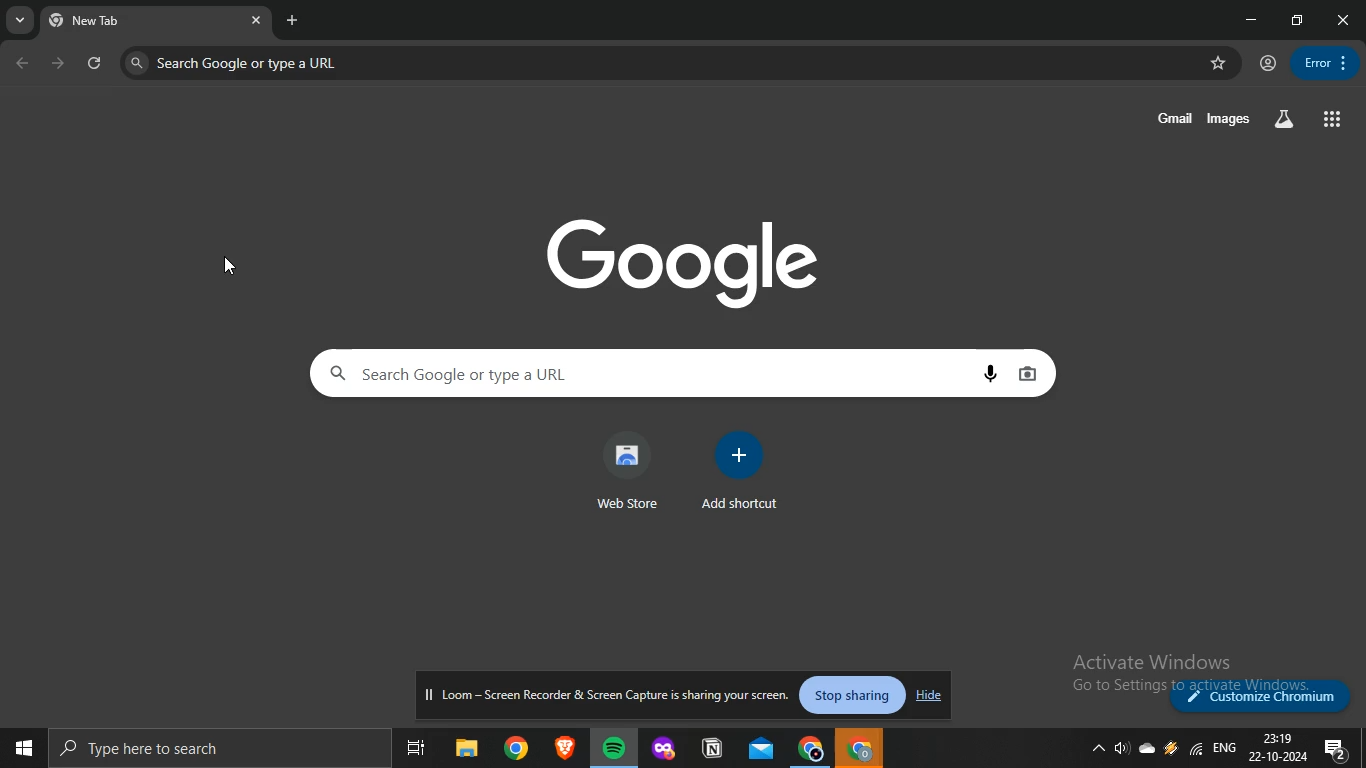 The height and width of the screenshot is (768, 1366). What do you see at coordinates (1225, 748) in the screenshot?
I see `english` at bounding box center [1225, 748].